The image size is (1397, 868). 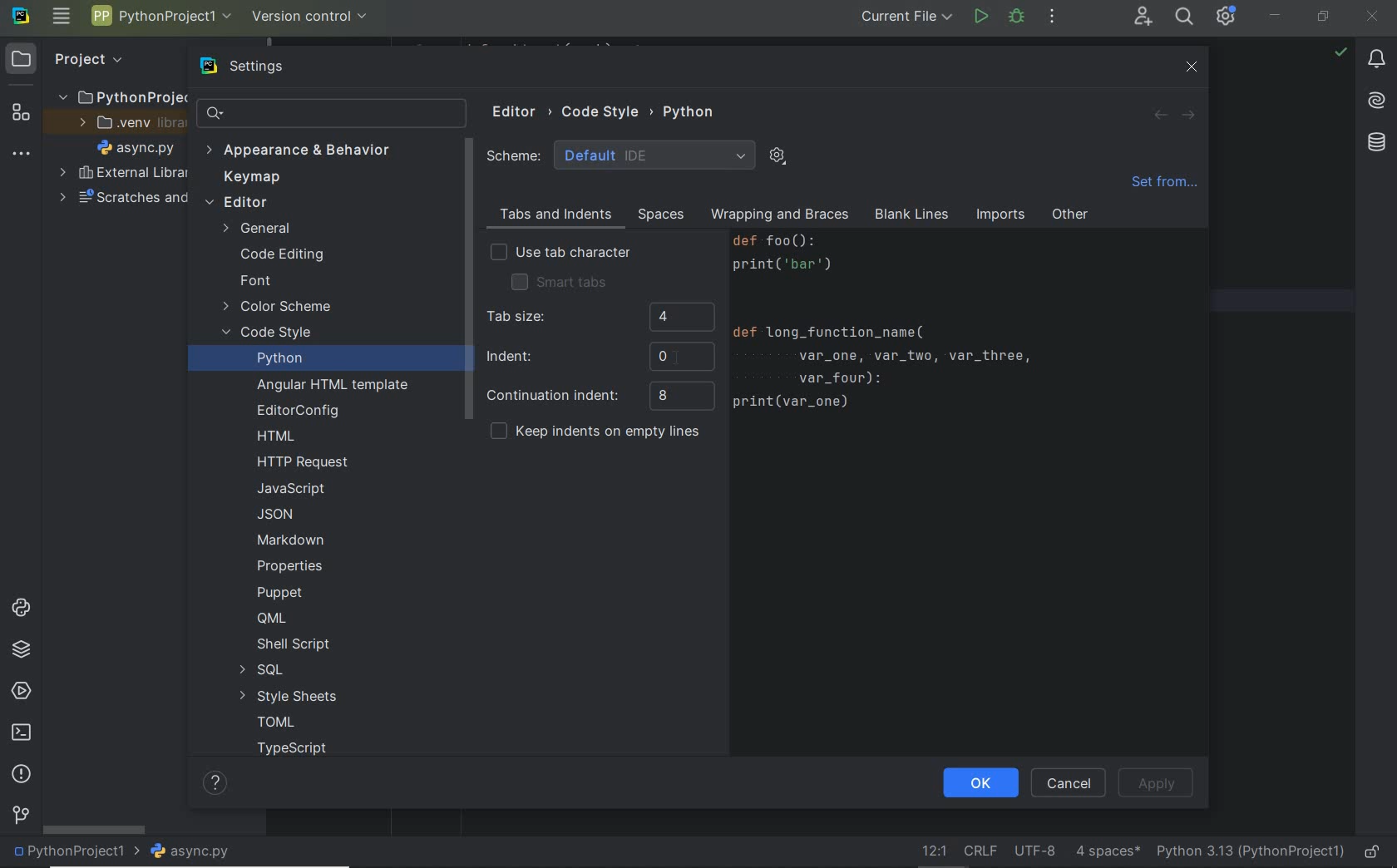 What do you see at coordinates (1374, 145) in the screenshot?
I see `database` at bounding box center [1374, 145].